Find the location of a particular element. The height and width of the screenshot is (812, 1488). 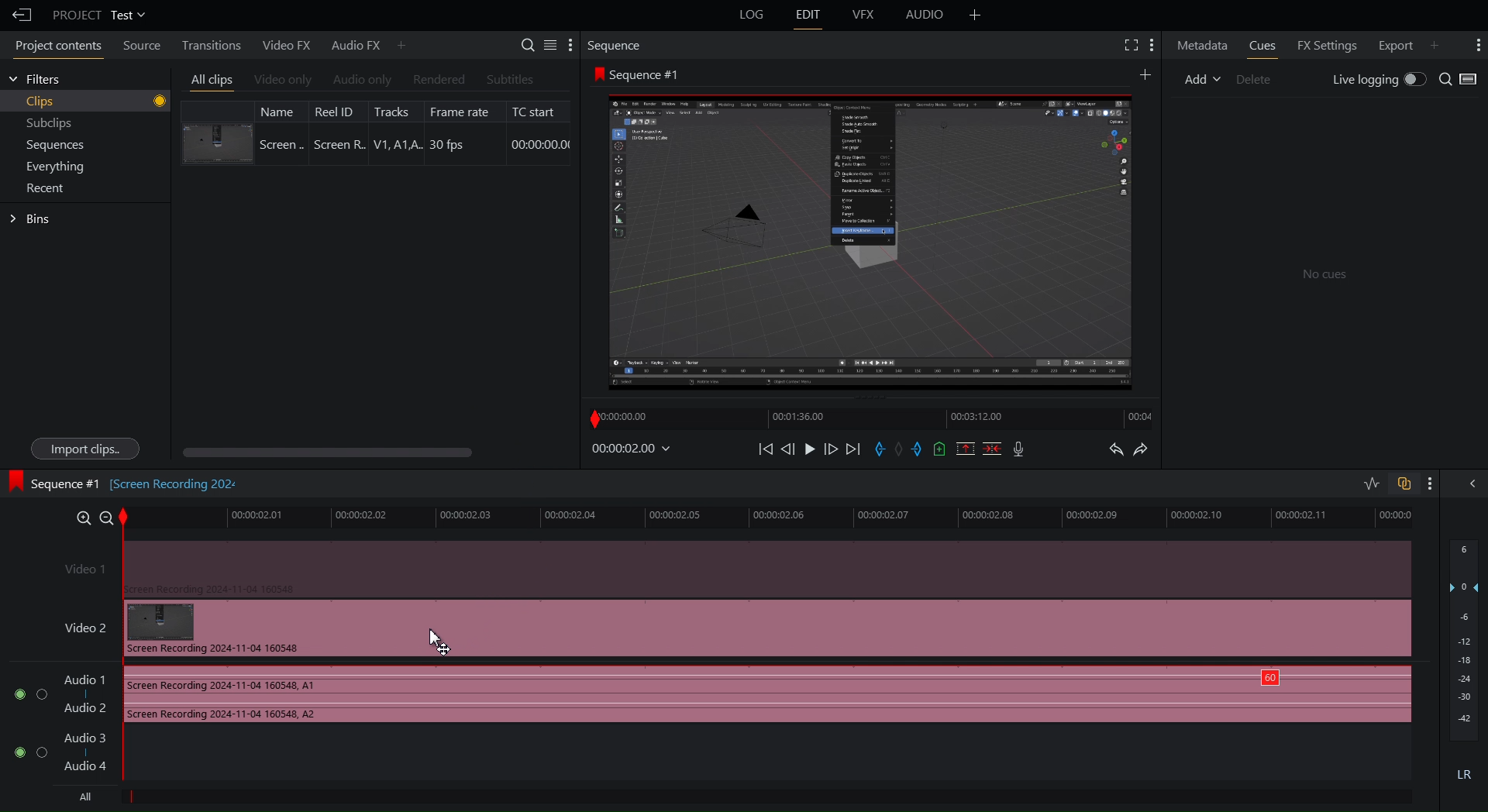

Clips is located at coordinates (96, 101).